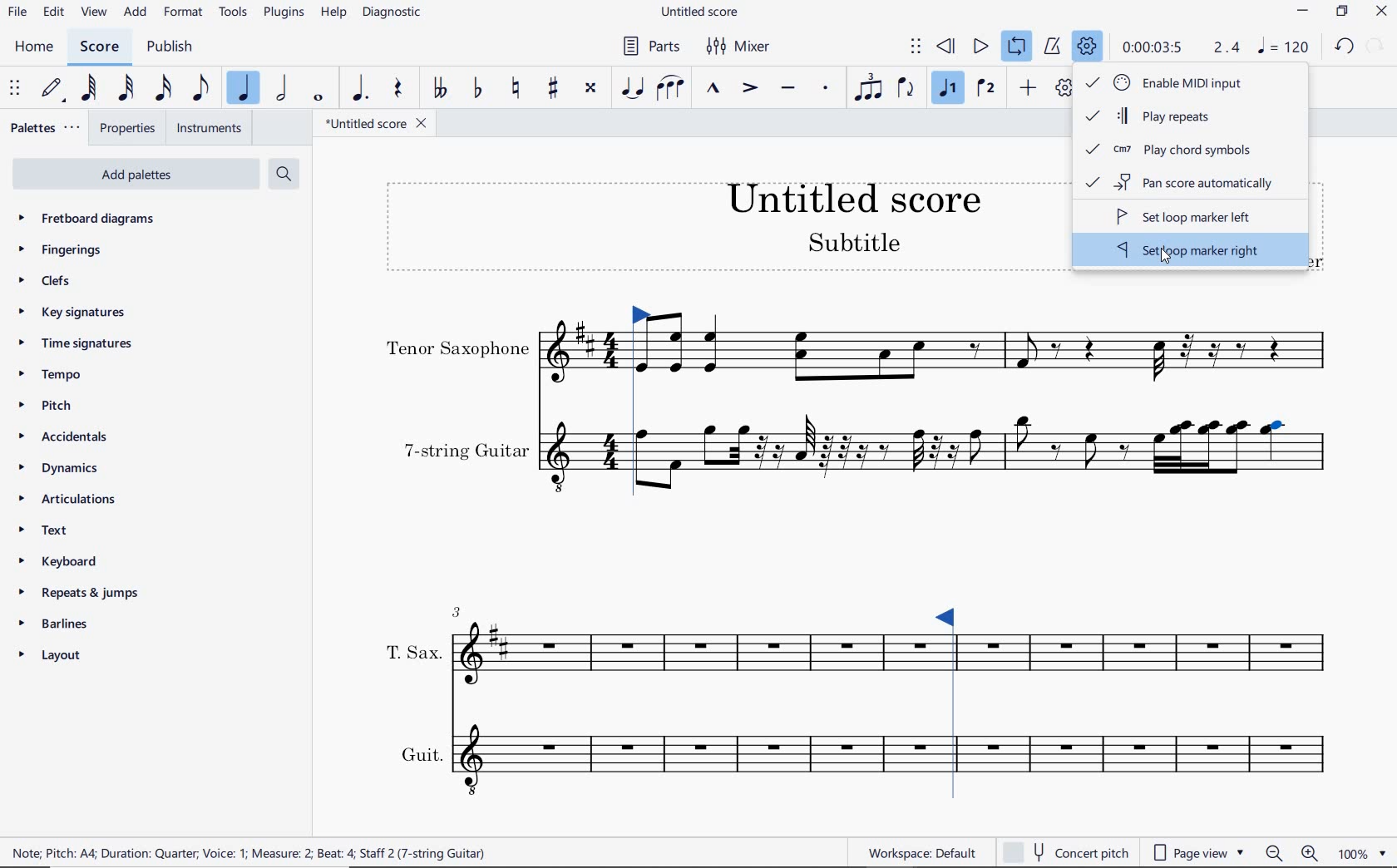 This screenshot has width=1397, height=868. Describe the element at coordinates (1293, 854) in the screenshot. I see `ZOOM OUT OR ZOOM IN` at that location.